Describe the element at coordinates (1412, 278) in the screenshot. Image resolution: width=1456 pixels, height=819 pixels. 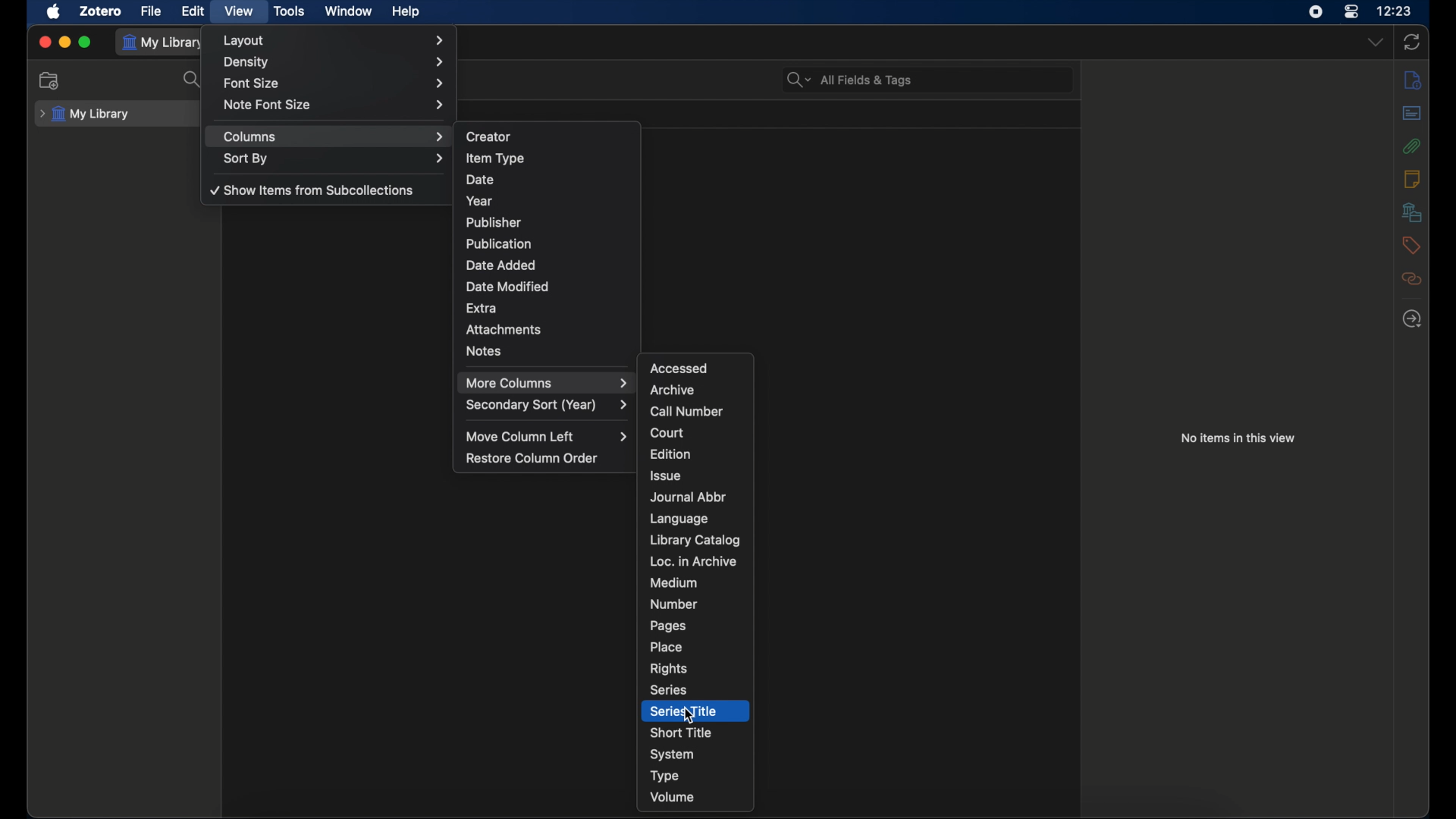
I see `related` at that location.